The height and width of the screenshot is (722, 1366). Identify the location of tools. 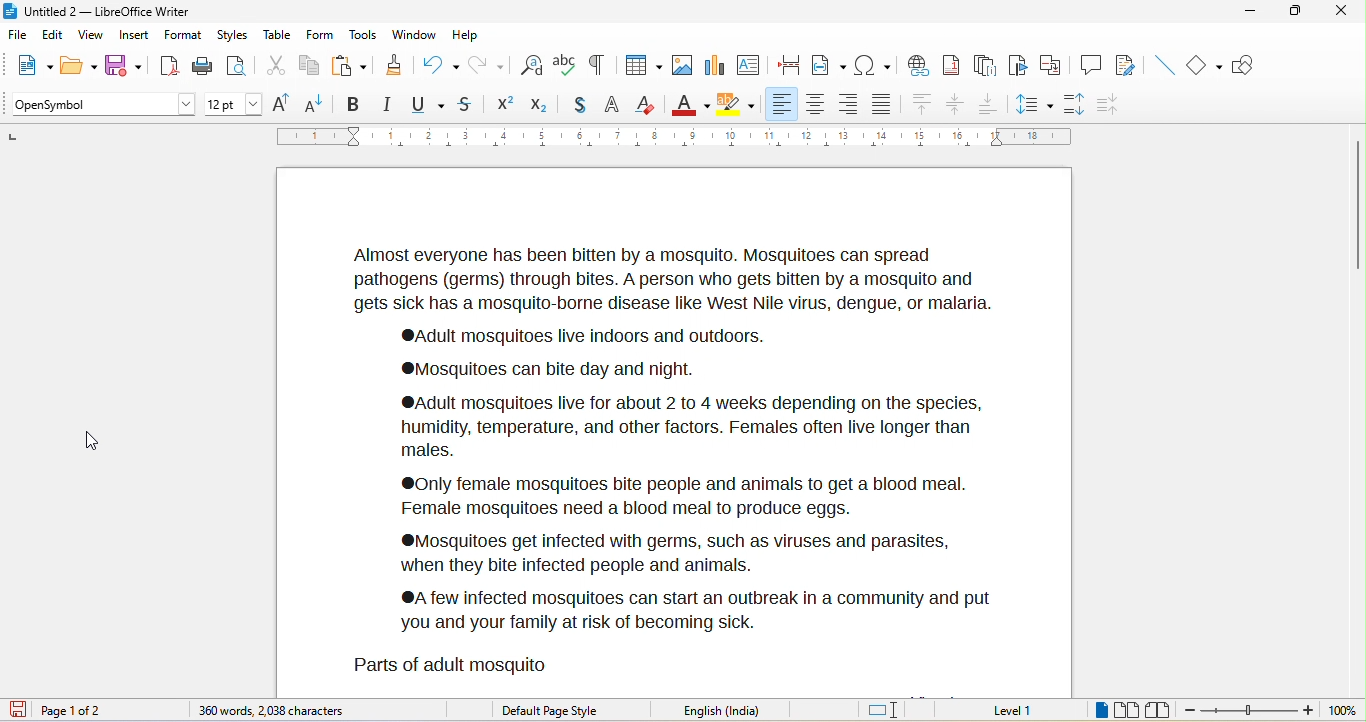
(363, 36).